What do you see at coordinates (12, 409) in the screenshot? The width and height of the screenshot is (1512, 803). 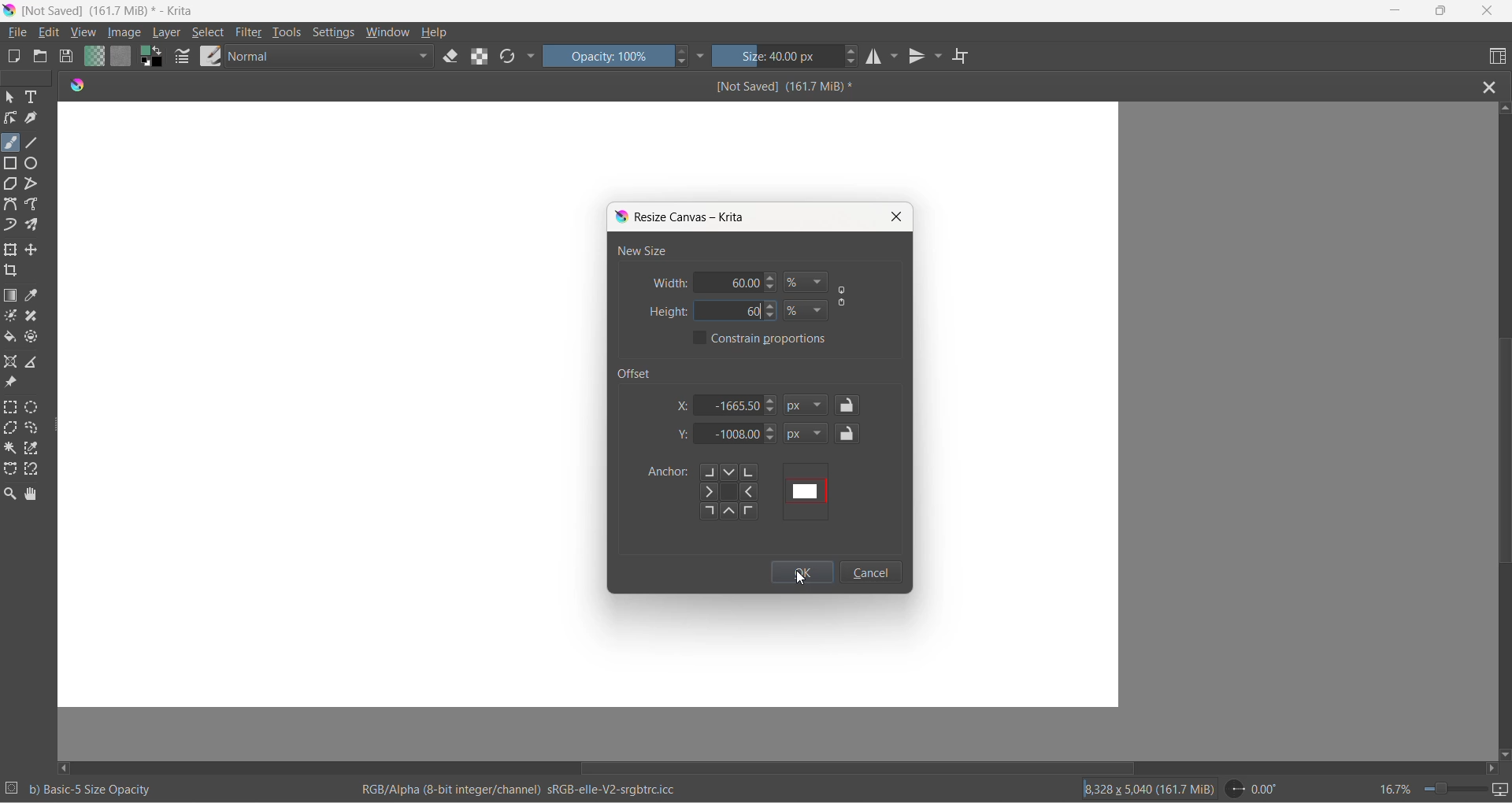 I see `rectangular selection tool` at bounding box center [12, 409].